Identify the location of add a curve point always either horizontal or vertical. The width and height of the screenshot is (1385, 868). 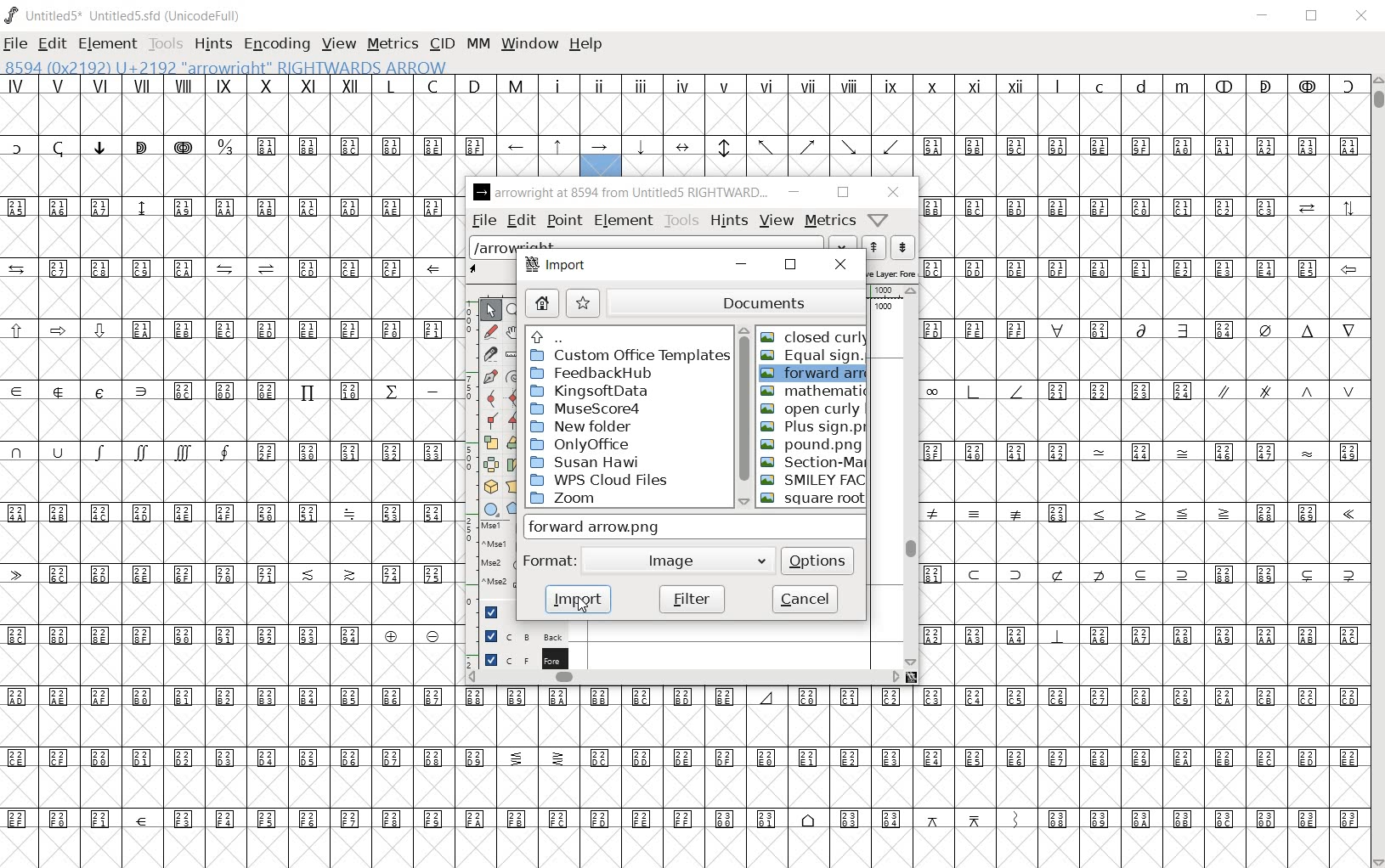
(515, 397).